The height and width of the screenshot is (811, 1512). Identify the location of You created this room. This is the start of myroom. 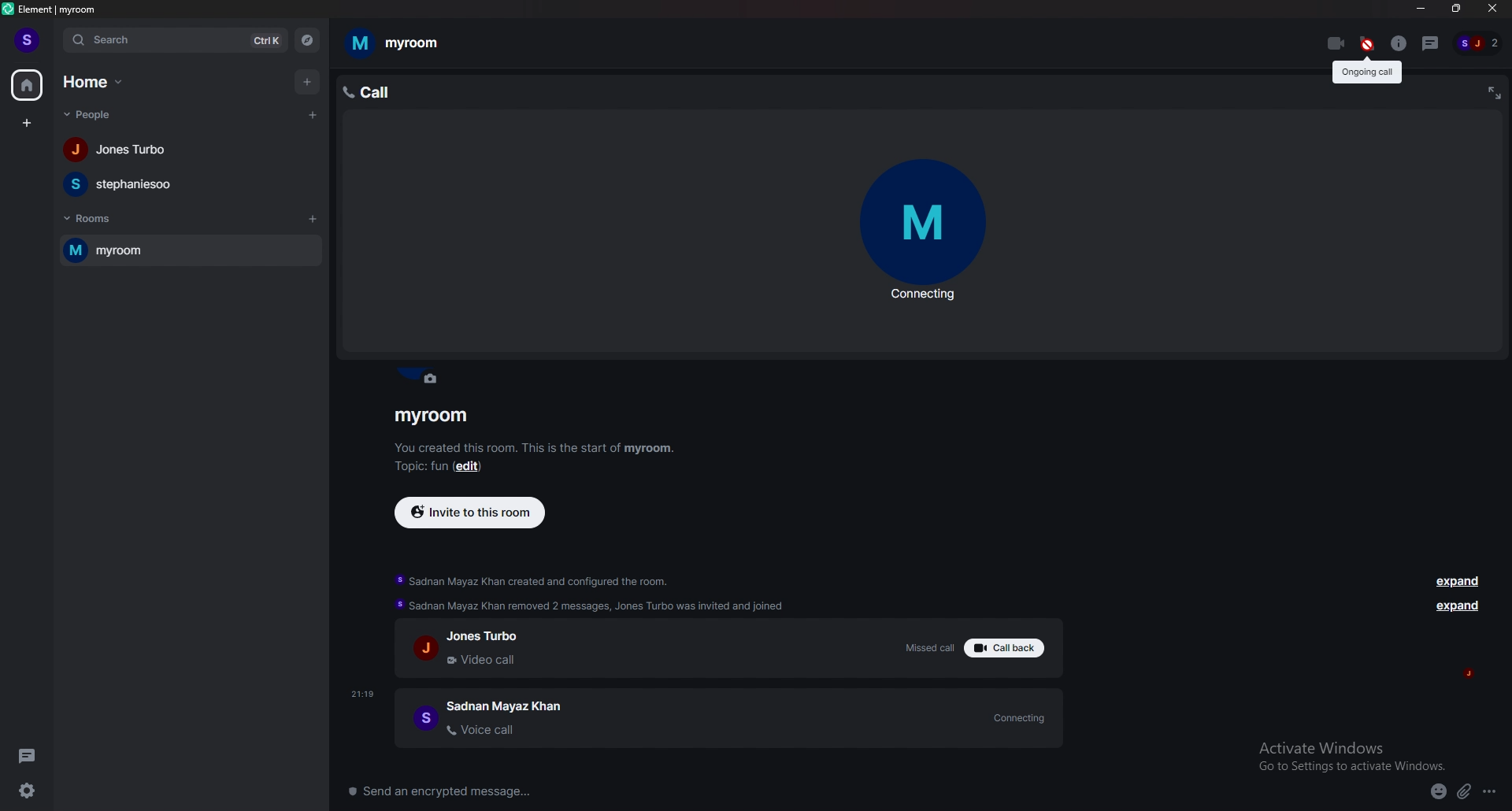
(536, 447).